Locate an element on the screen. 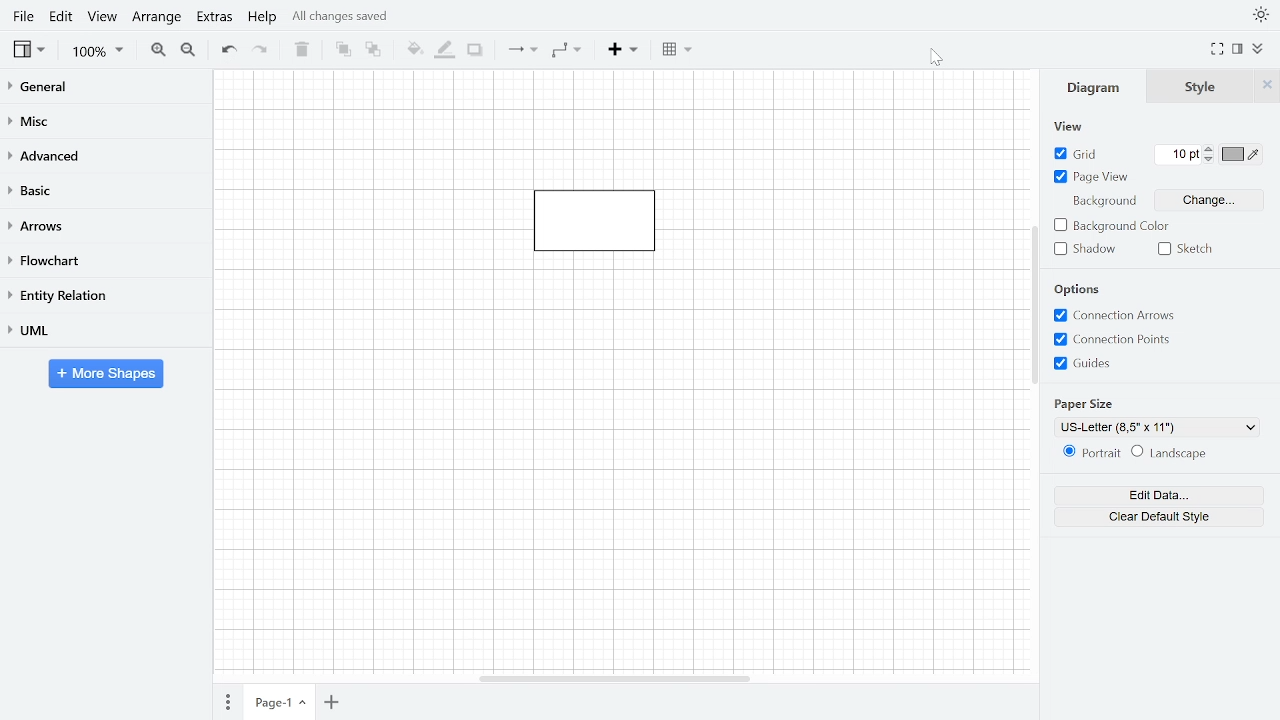  View is located at coordinates (1069, 127).